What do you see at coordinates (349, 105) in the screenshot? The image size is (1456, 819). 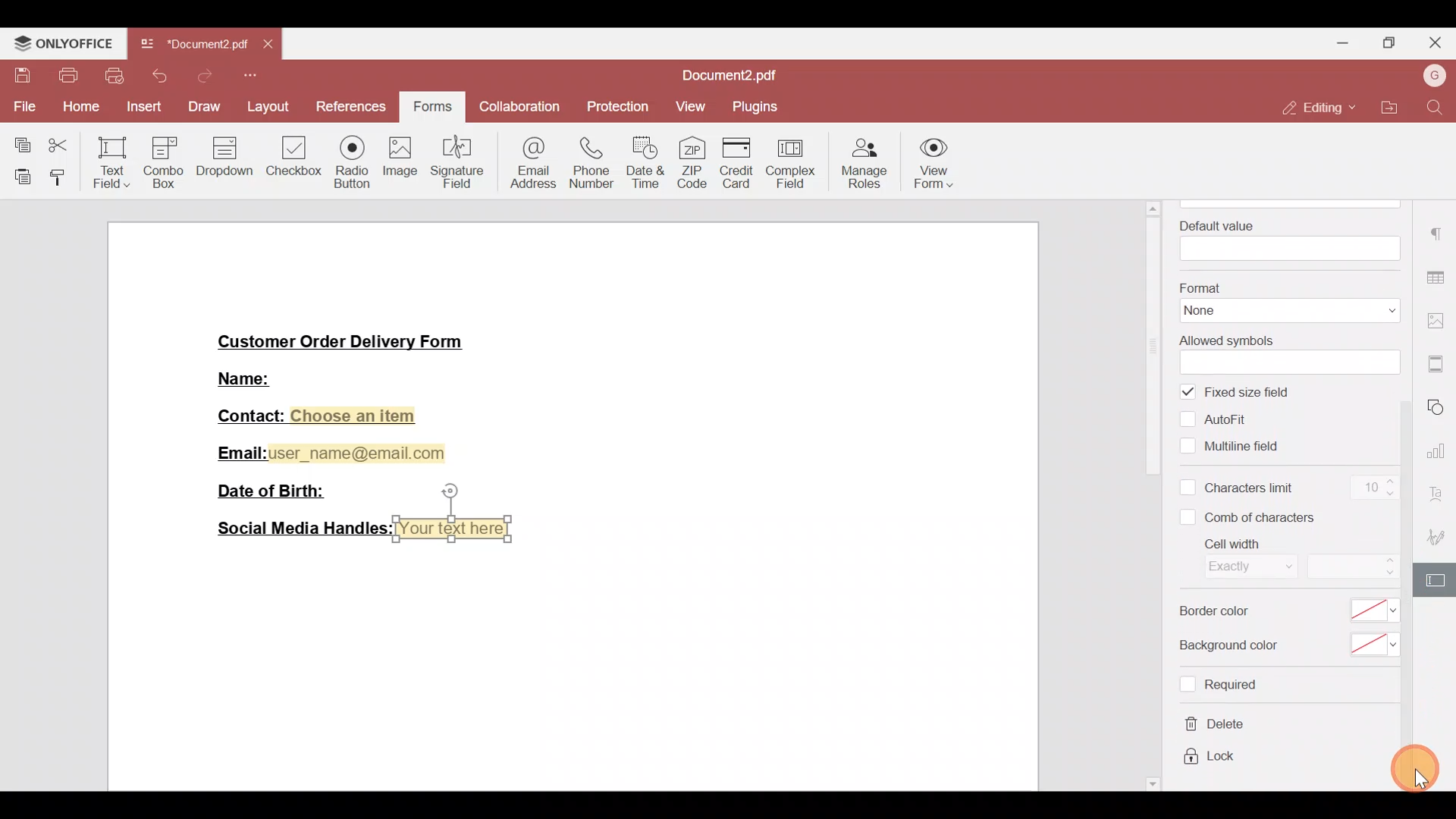 I see `References` at bounding box center [349, 105].